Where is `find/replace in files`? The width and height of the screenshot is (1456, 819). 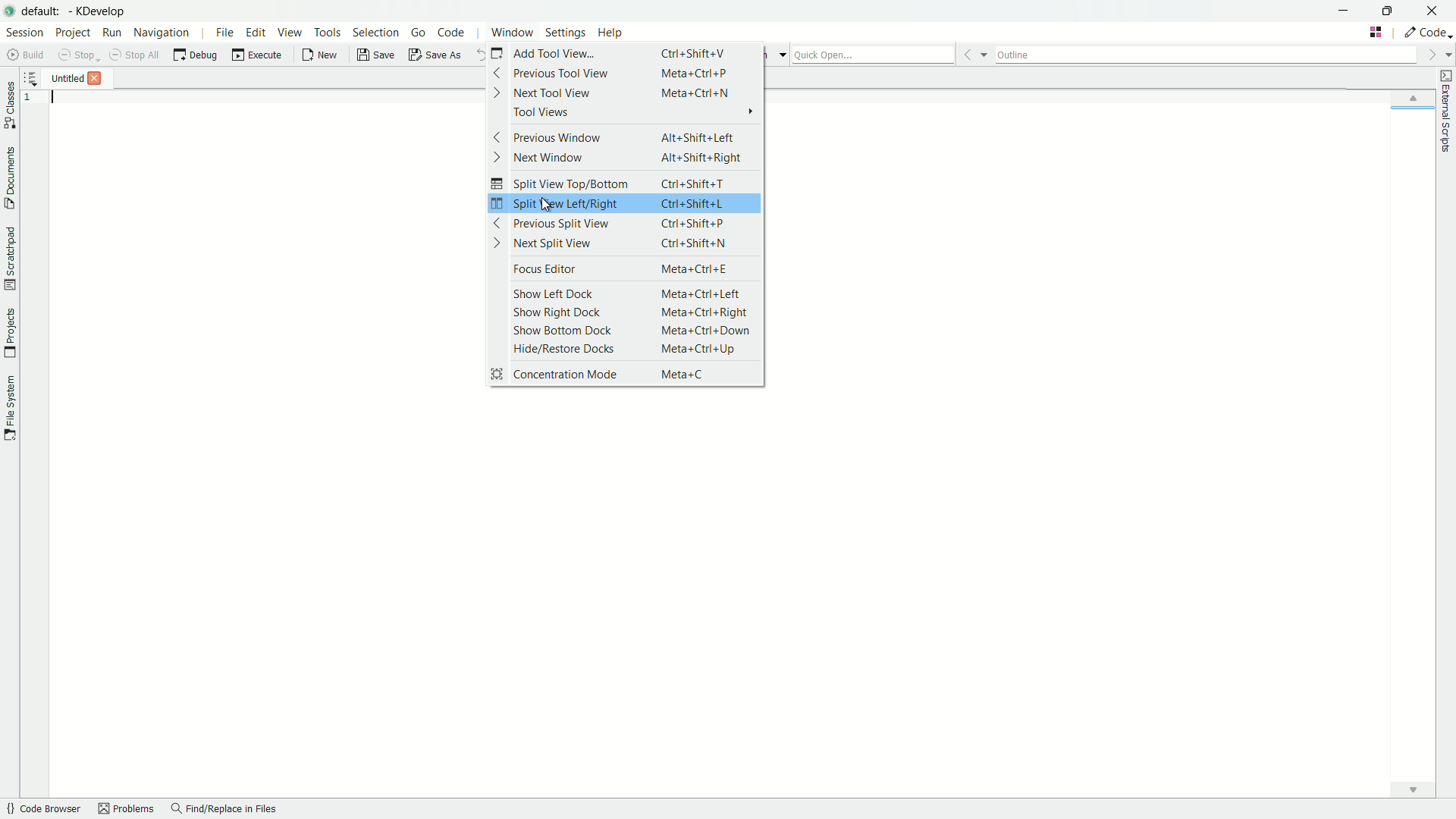
find/replace in files is located at coordinates (221, 810).